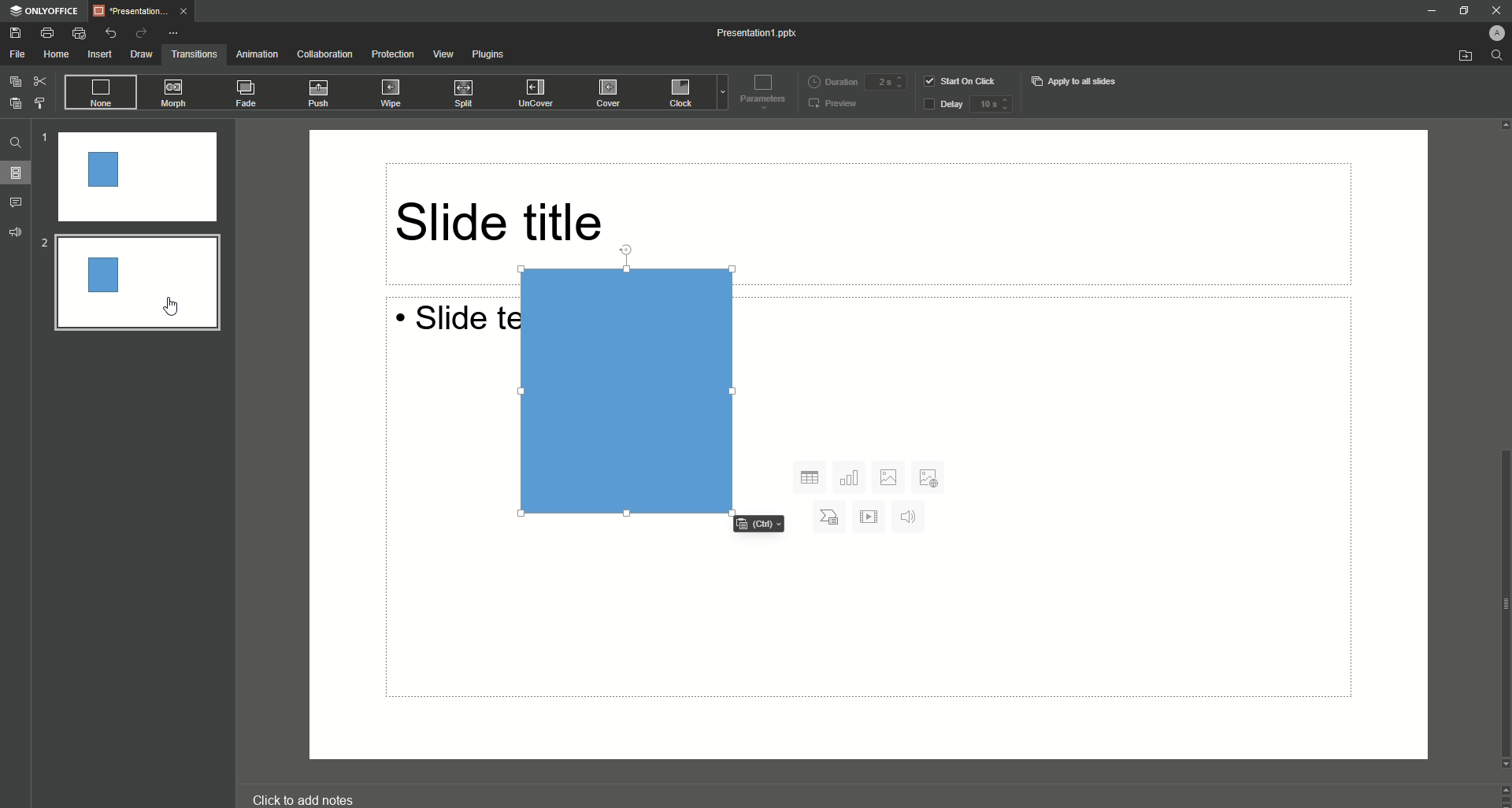 The width and height of the screenshot is (1512, 808). I want to click on Audio sound, so click(911, 519).